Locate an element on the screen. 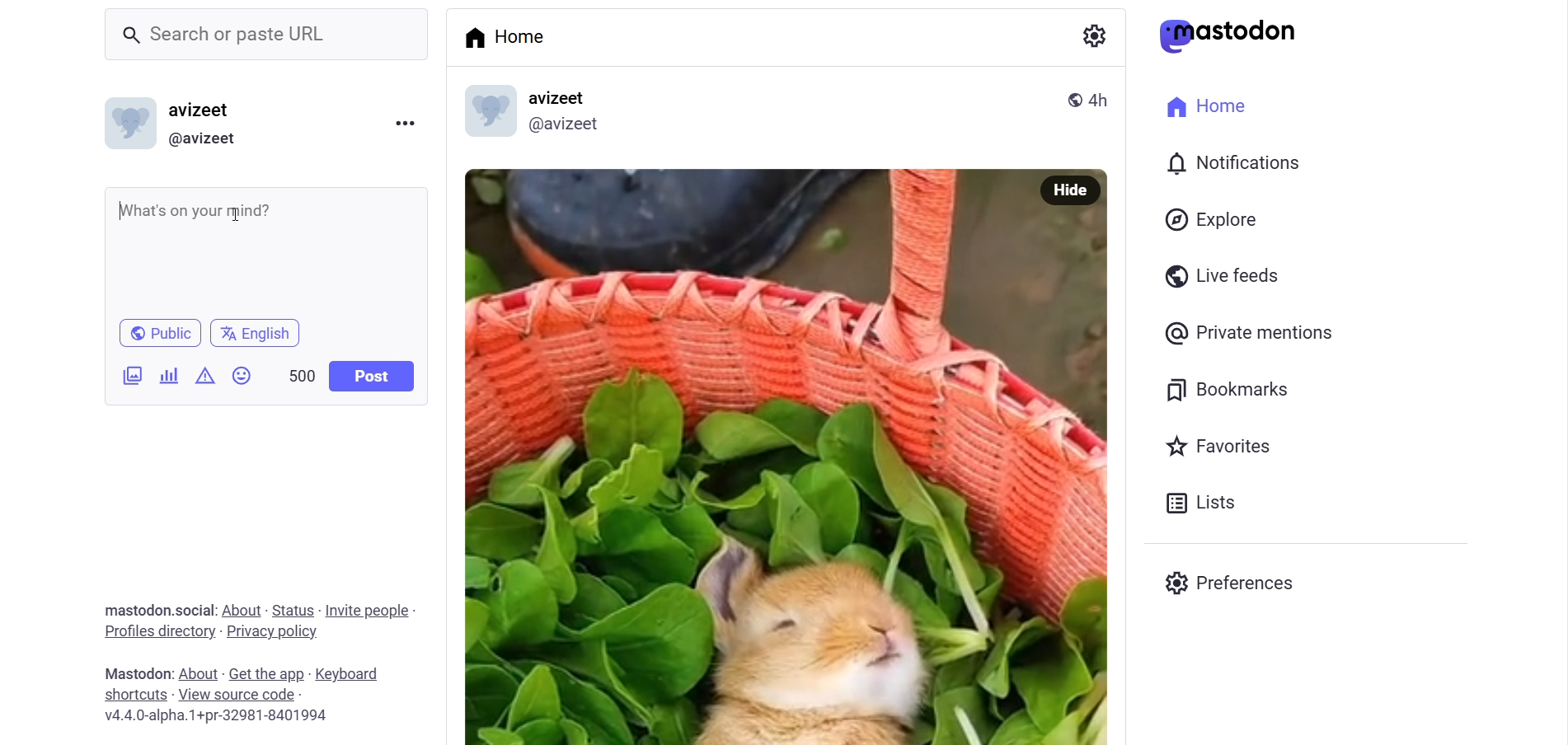 The height and width of the screenshot is (745, 1568). cursor is located at coordinates (234, 213).